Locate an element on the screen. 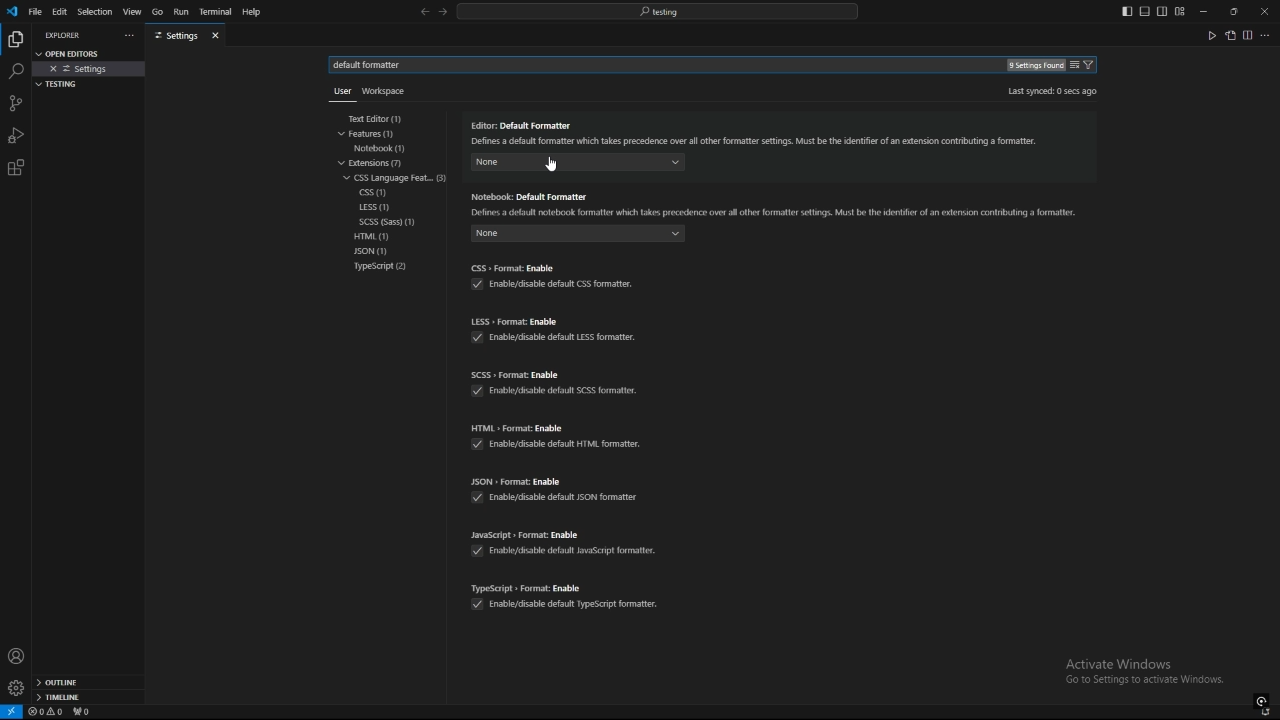  enable /disable default json formatter is located at coordinates (554, 496).